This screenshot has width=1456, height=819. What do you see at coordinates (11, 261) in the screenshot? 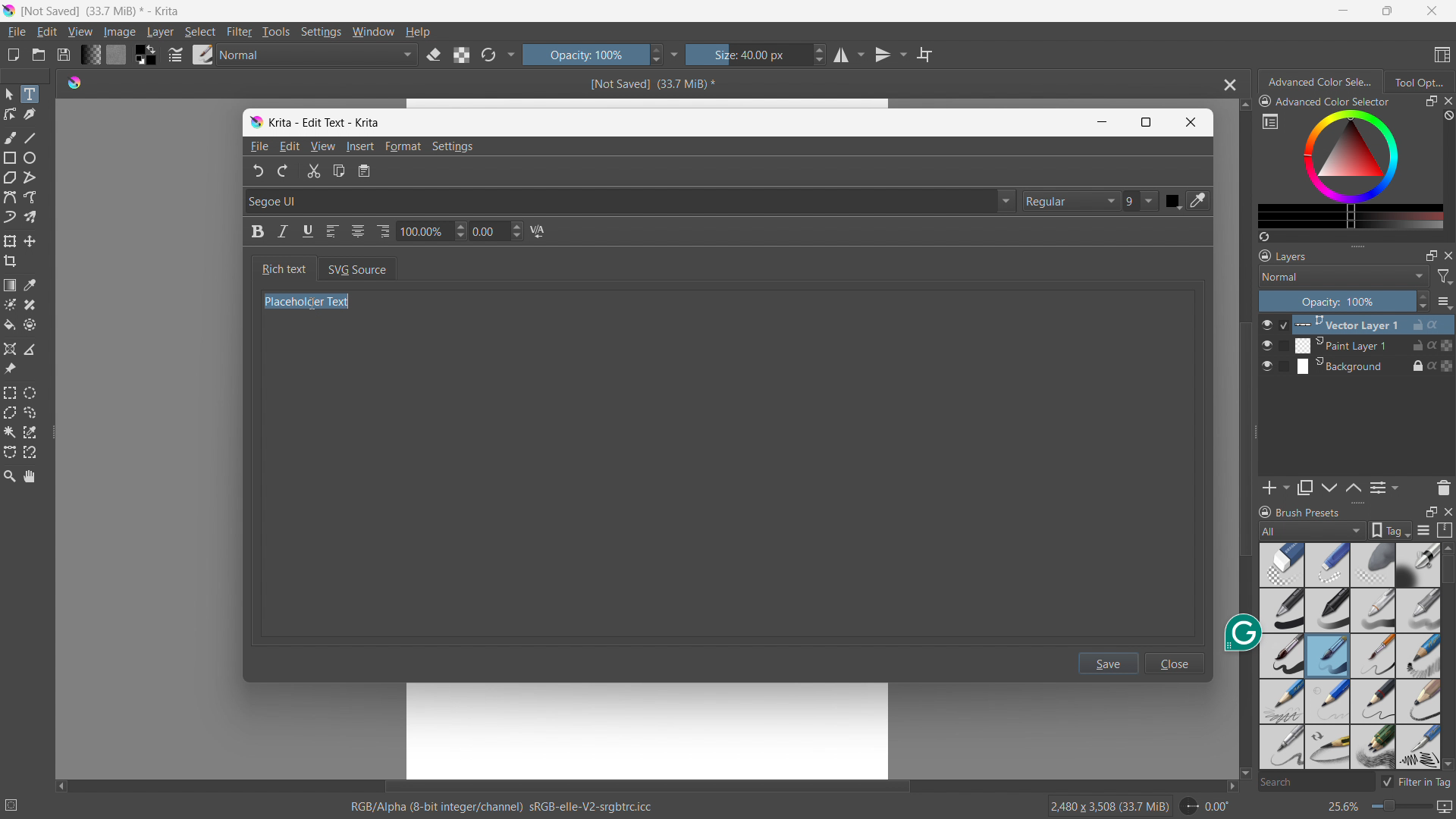
I see `crop the image to an area` at bounding box center [11, 261].